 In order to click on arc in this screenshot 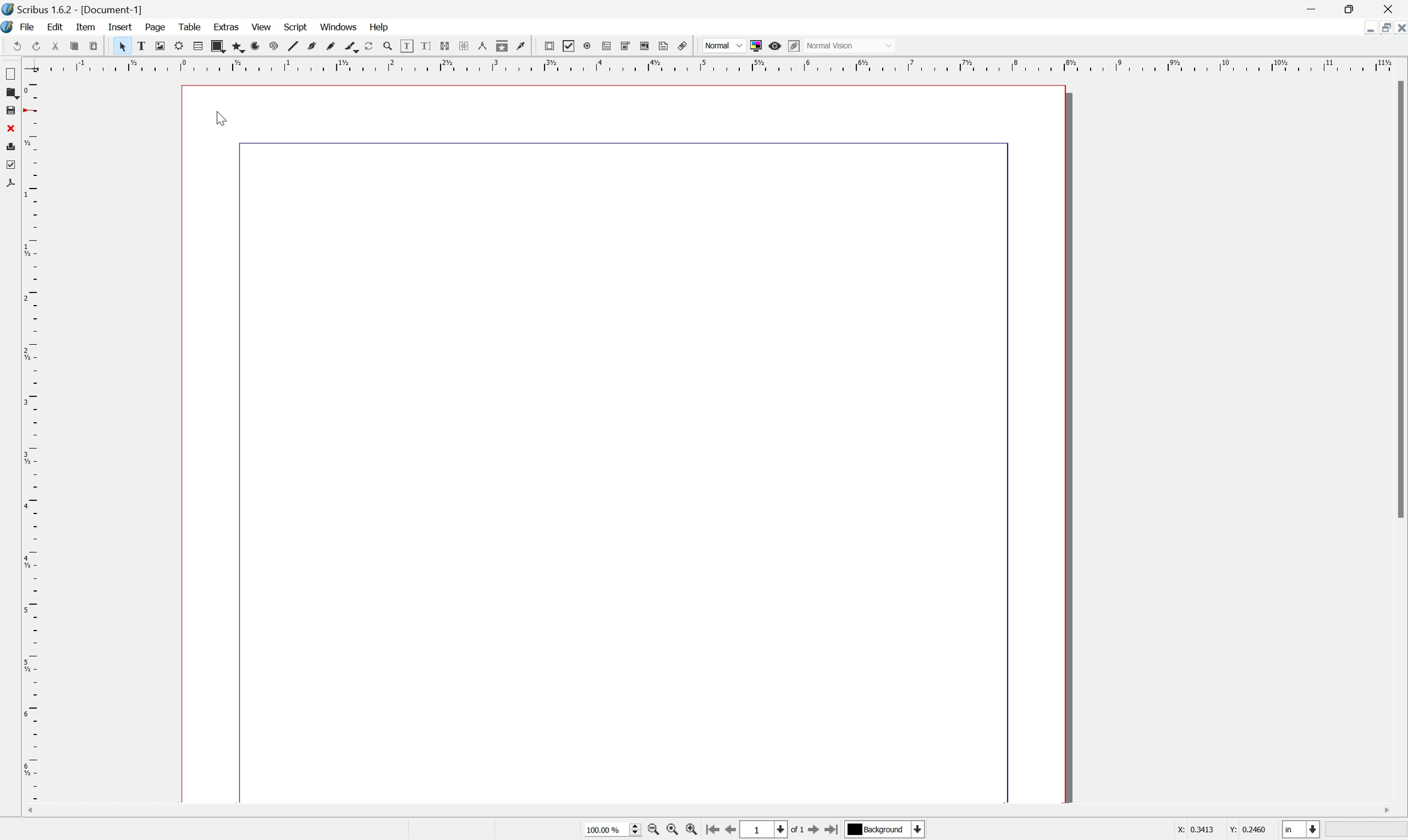, I will do `click(387, 45)`.